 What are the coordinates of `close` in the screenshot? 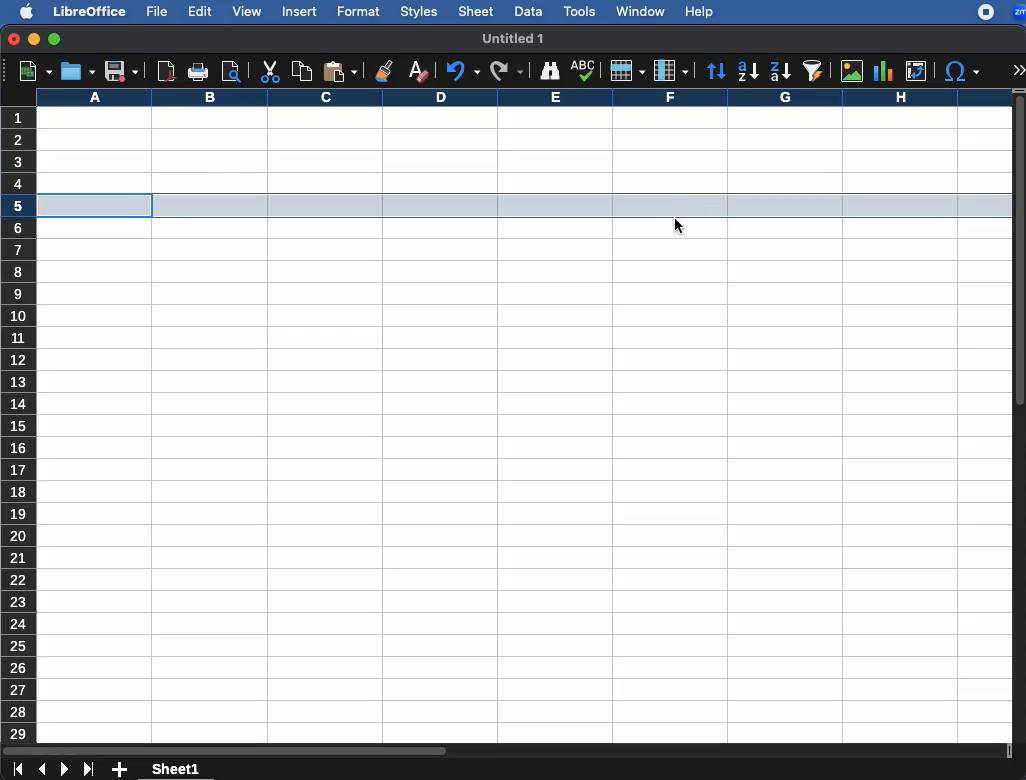 It's located at (12, 39).